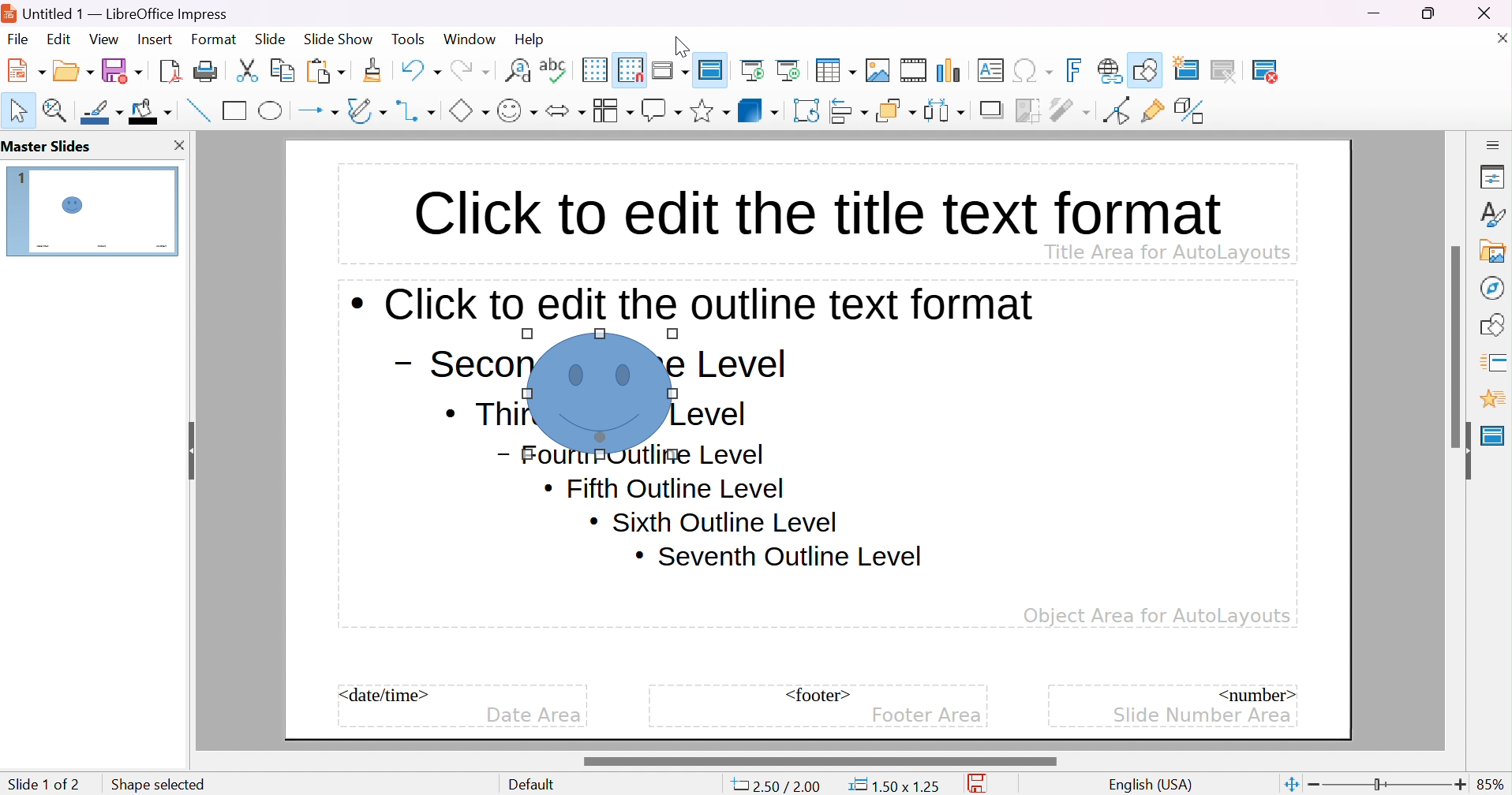 Image resolution: width=1512 pixels, height=795 pixels. What do you see at coordinates (215, 39) in the screenshot?
I see `format` at bounding box center [215, 39].